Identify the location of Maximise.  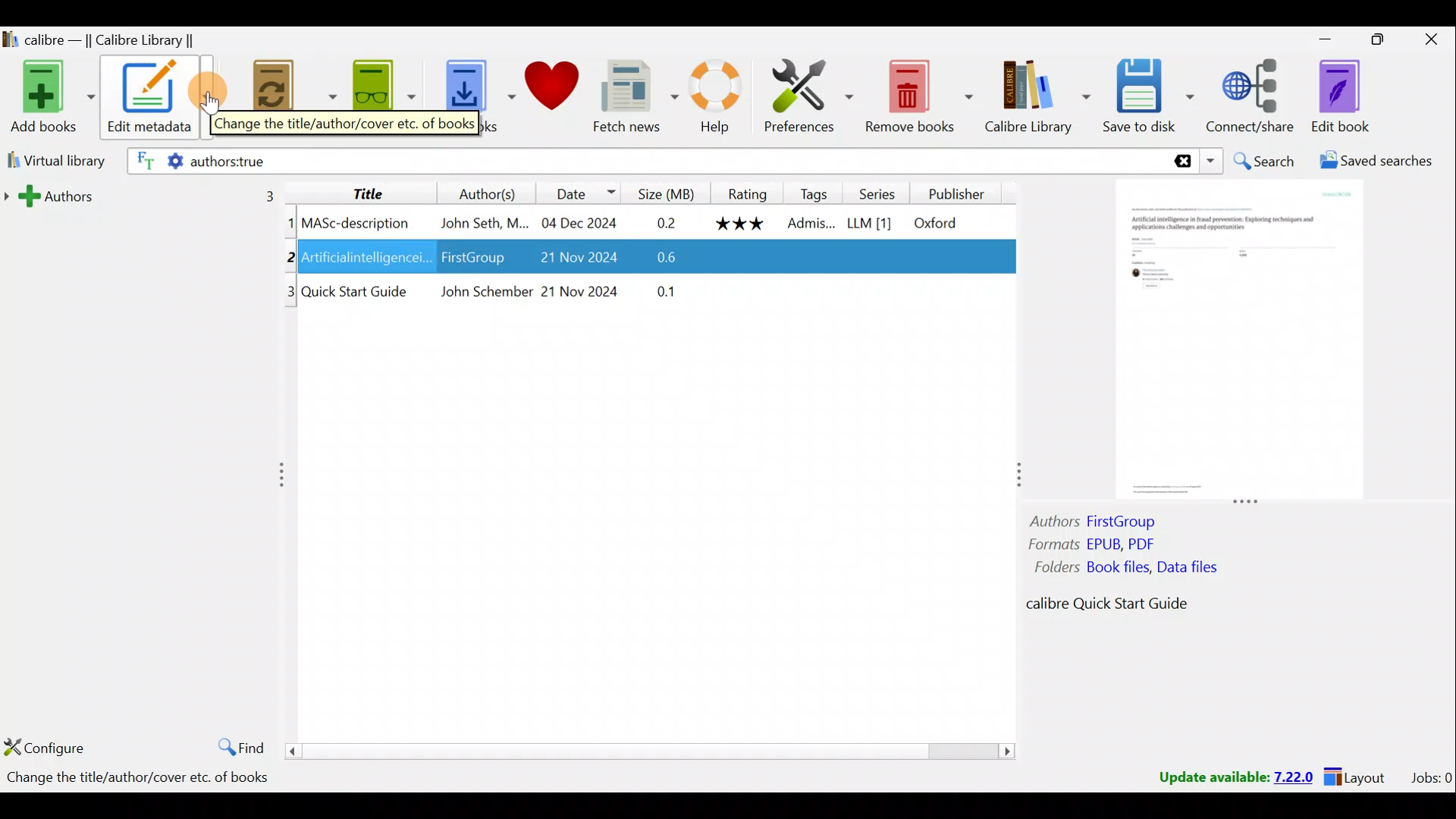
(1372, 43).